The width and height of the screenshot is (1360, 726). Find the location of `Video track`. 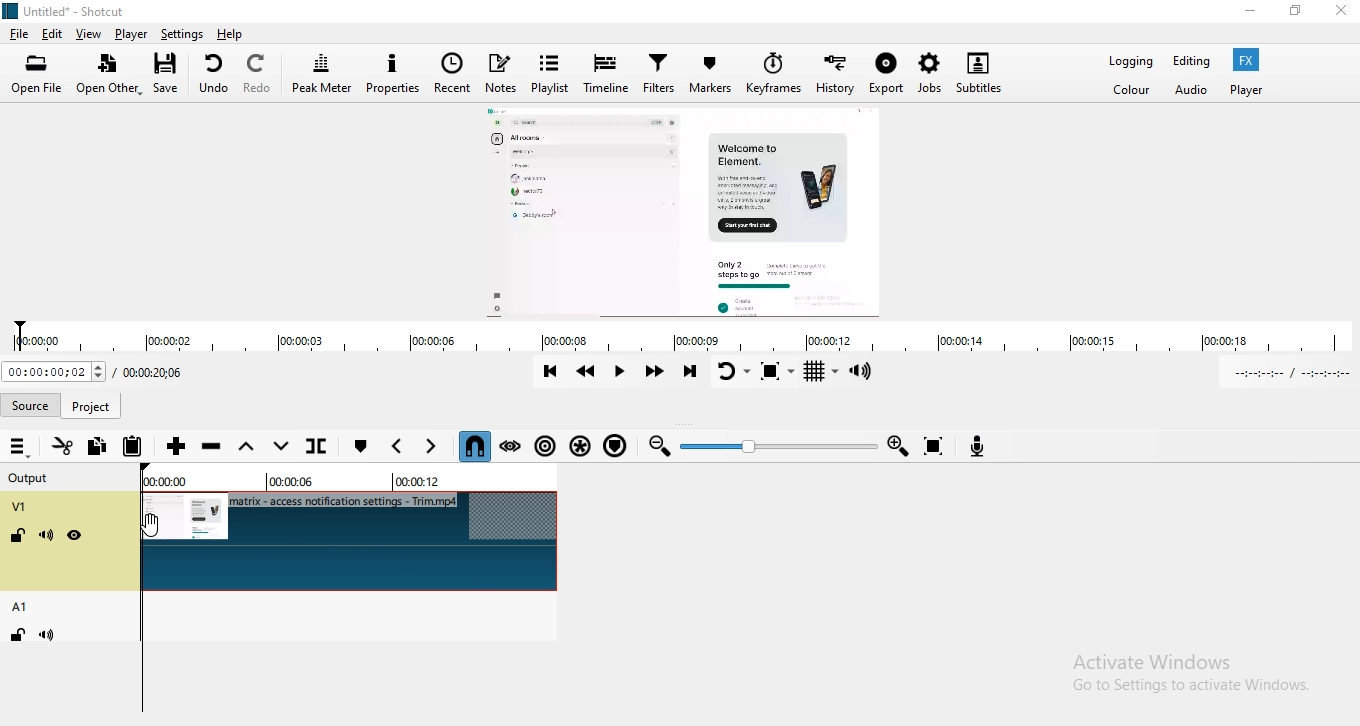

Video track is located at coordinates (349, 541).